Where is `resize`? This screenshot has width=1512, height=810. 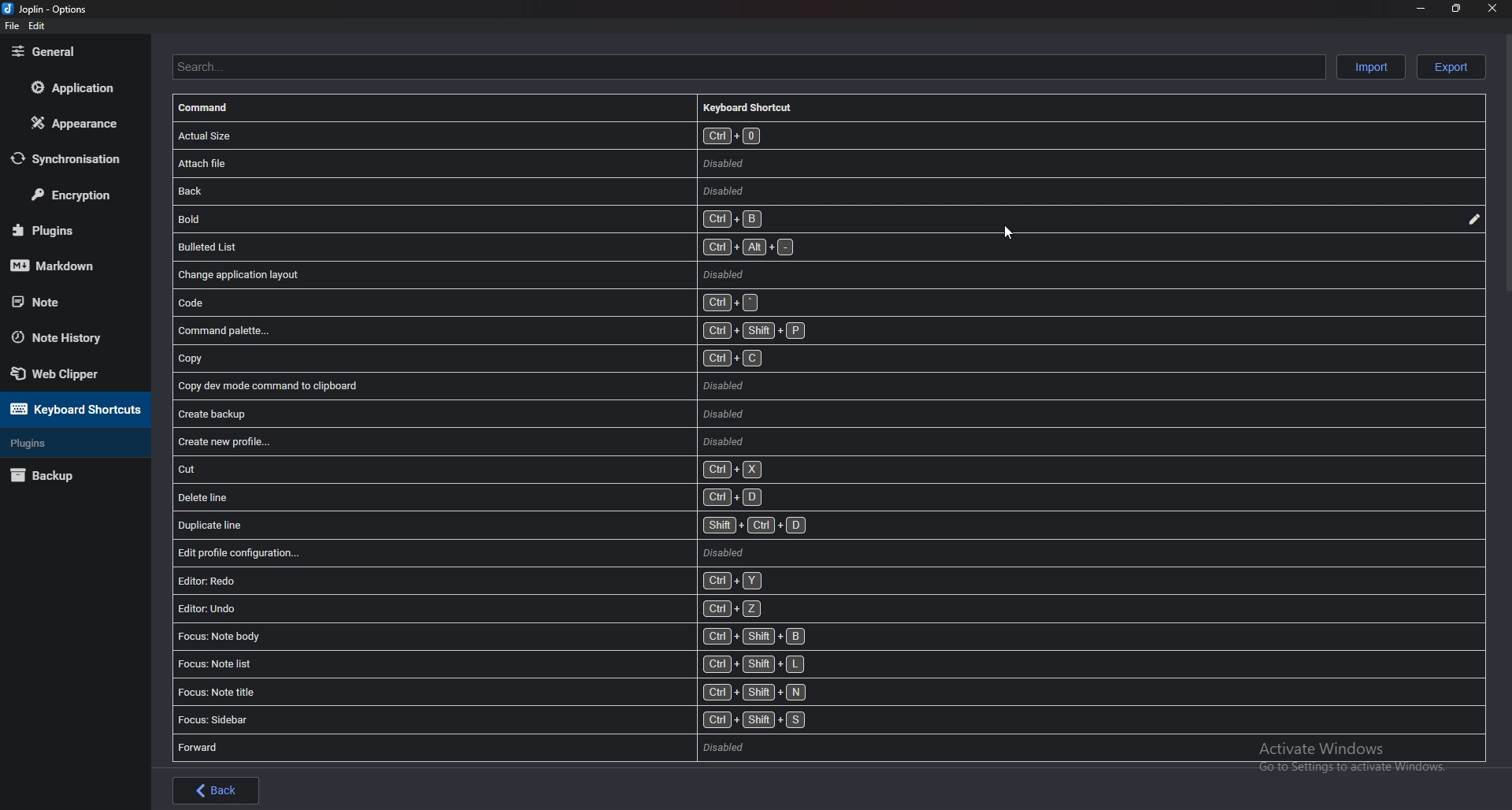
resize is located at coordinates (1457, 9).